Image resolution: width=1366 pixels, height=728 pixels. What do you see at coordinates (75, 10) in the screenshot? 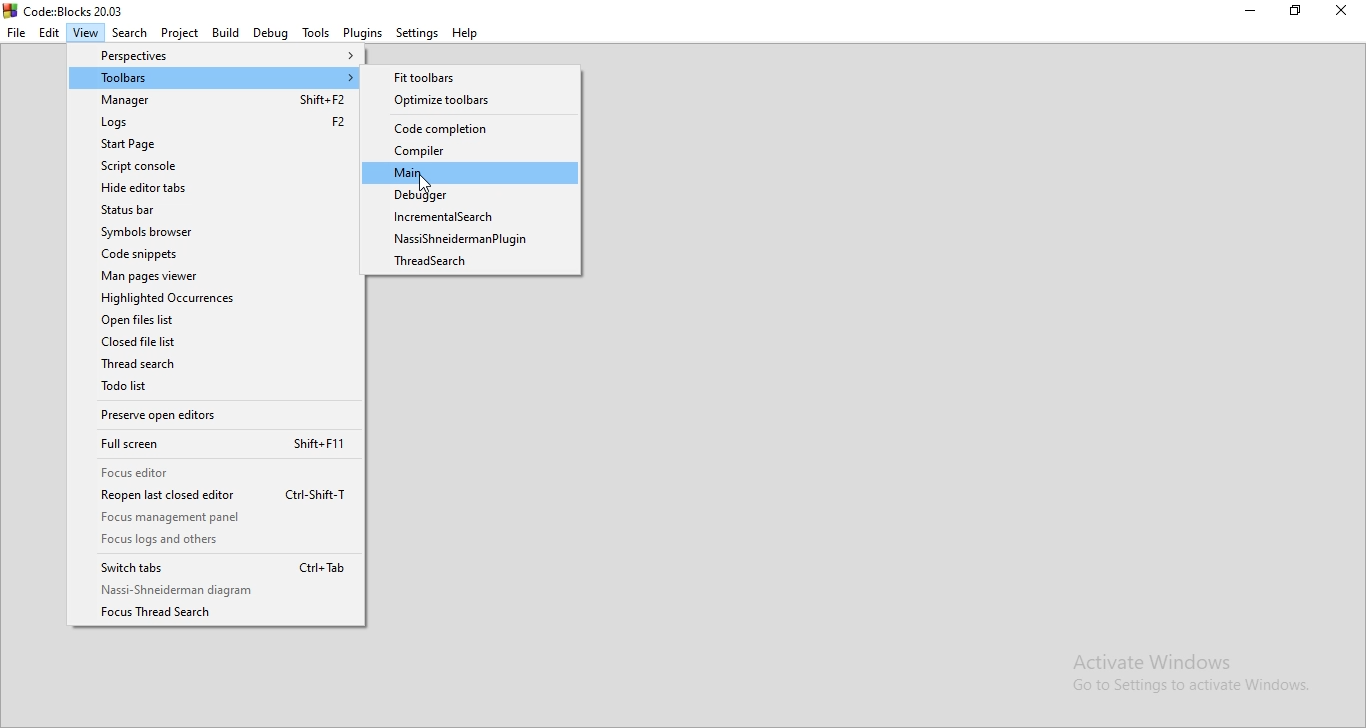
I see `Code:Blocks 20.03` at bounding box center [75, 10].